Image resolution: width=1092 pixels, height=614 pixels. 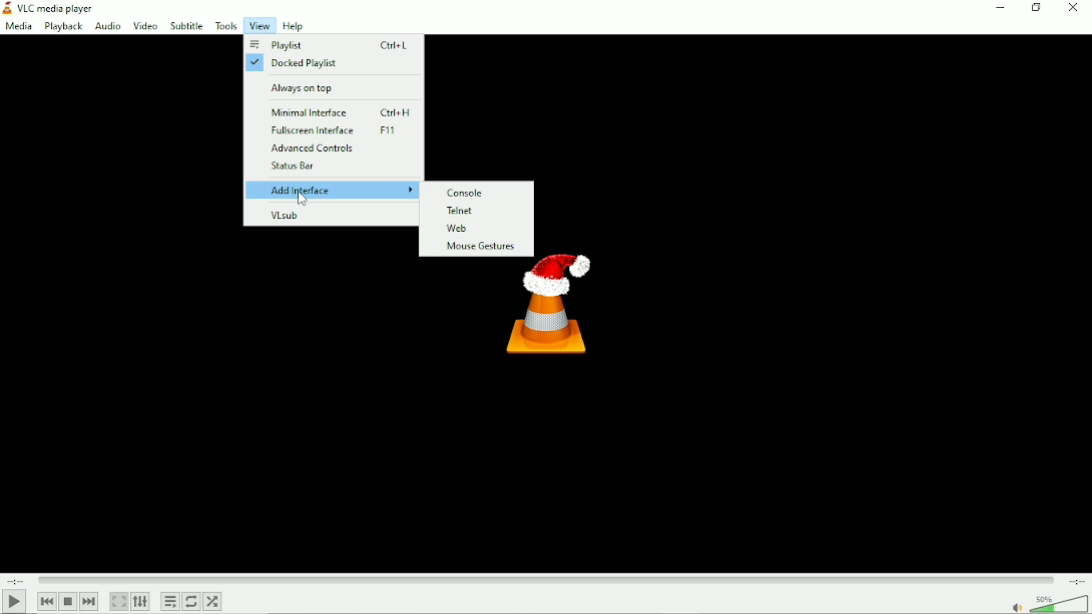 What do you see at coordinates (545, 580) in the screenshot?
I see `Play duration` at bounding box center [545, 580].